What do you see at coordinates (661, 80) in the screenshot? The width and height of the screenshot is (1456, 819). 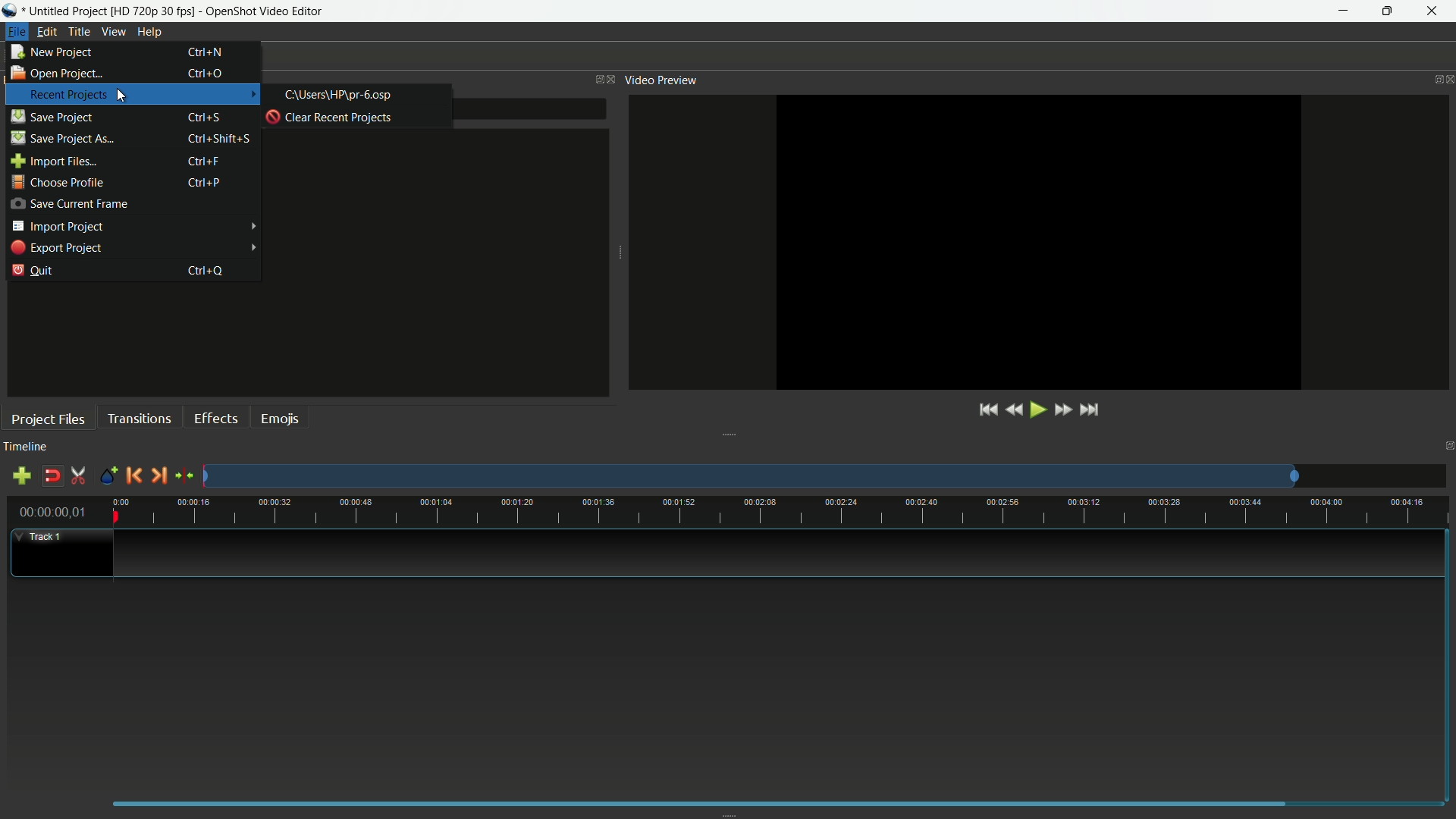 I see `video preview` at bounding box center [661, 80].